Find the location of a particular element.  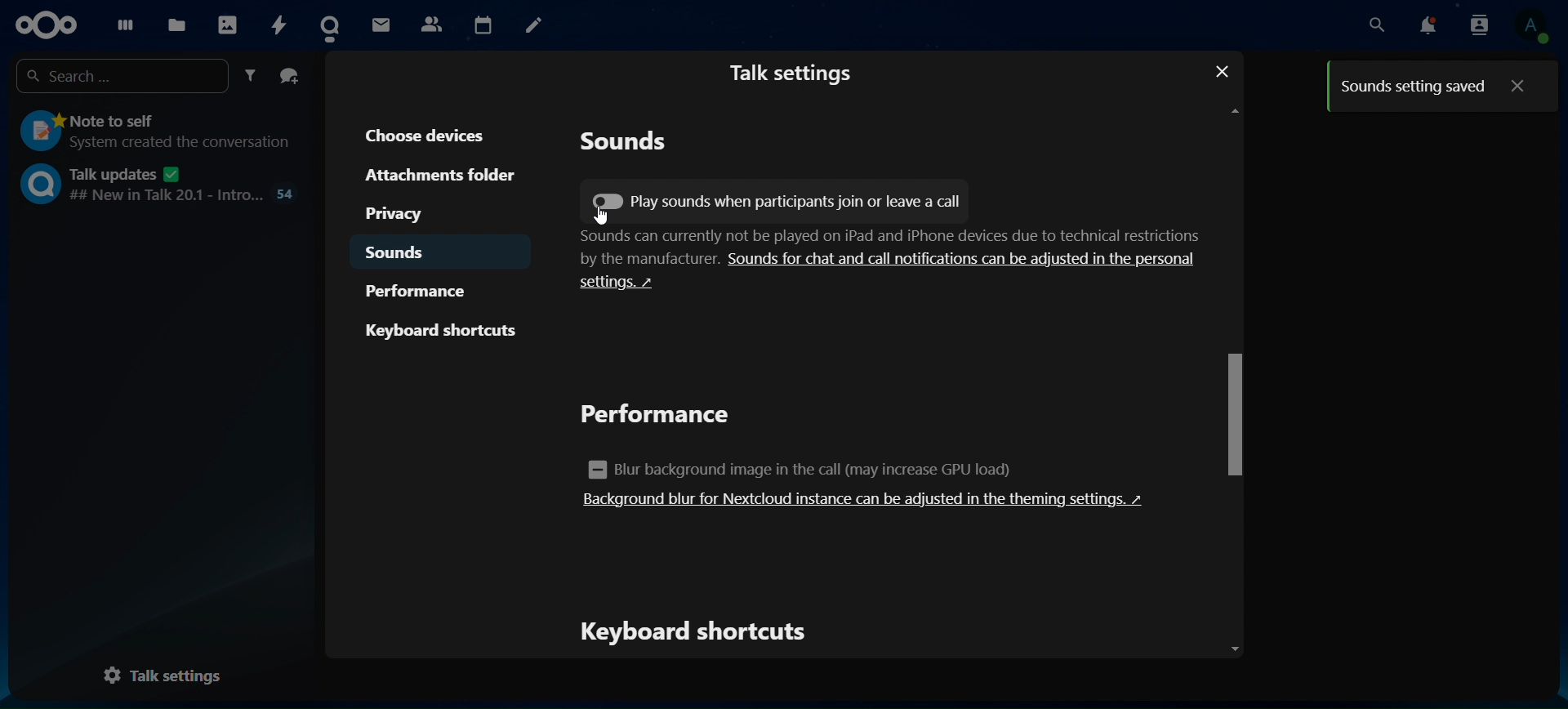

create a group is located at coordinates (291, 77).